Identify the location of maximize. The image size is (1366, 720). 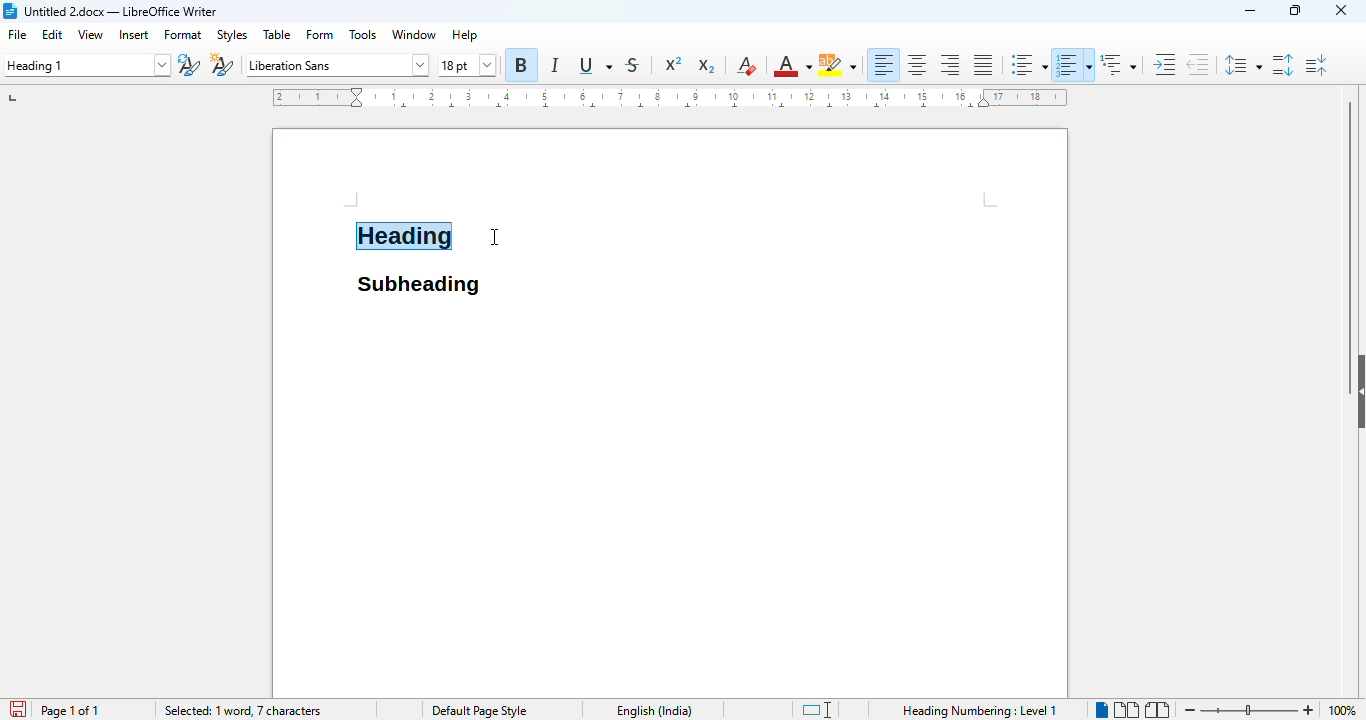
(1295, 10).